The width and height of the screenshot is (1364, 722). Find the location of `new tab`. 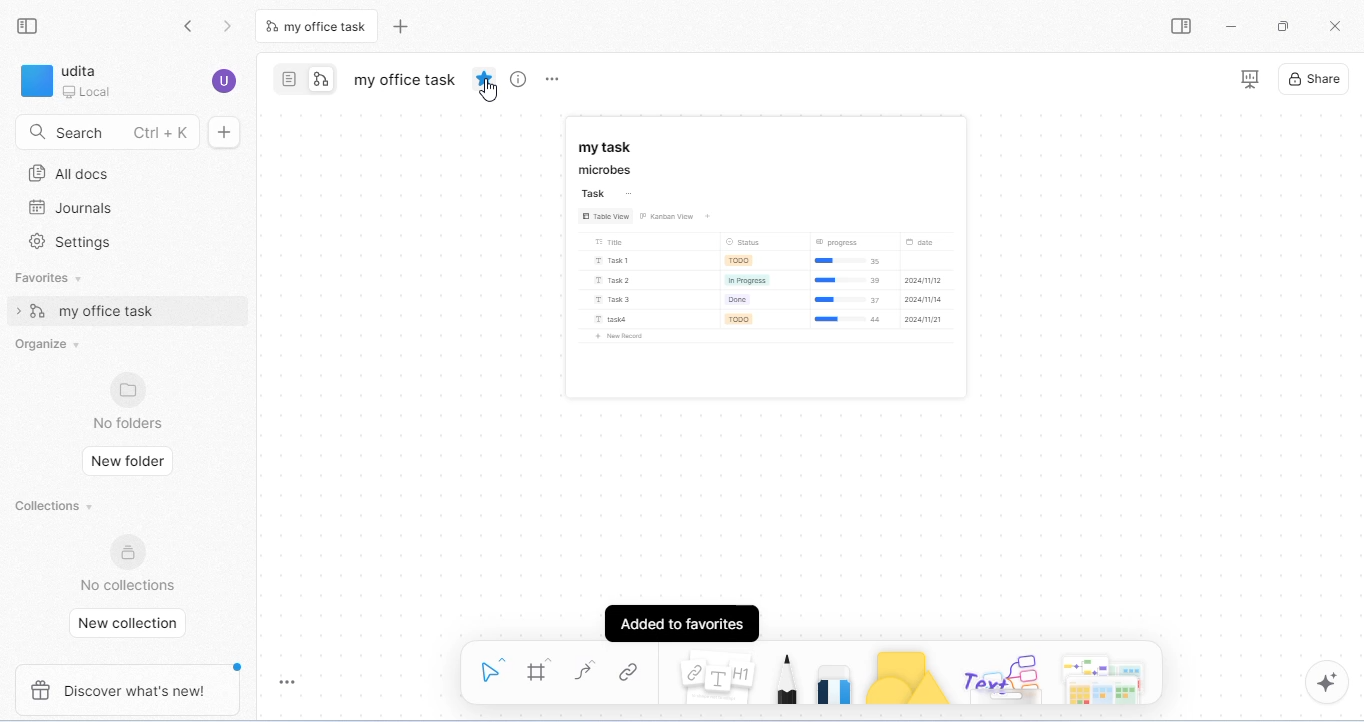

new tab is located at coordinates (401, 24).